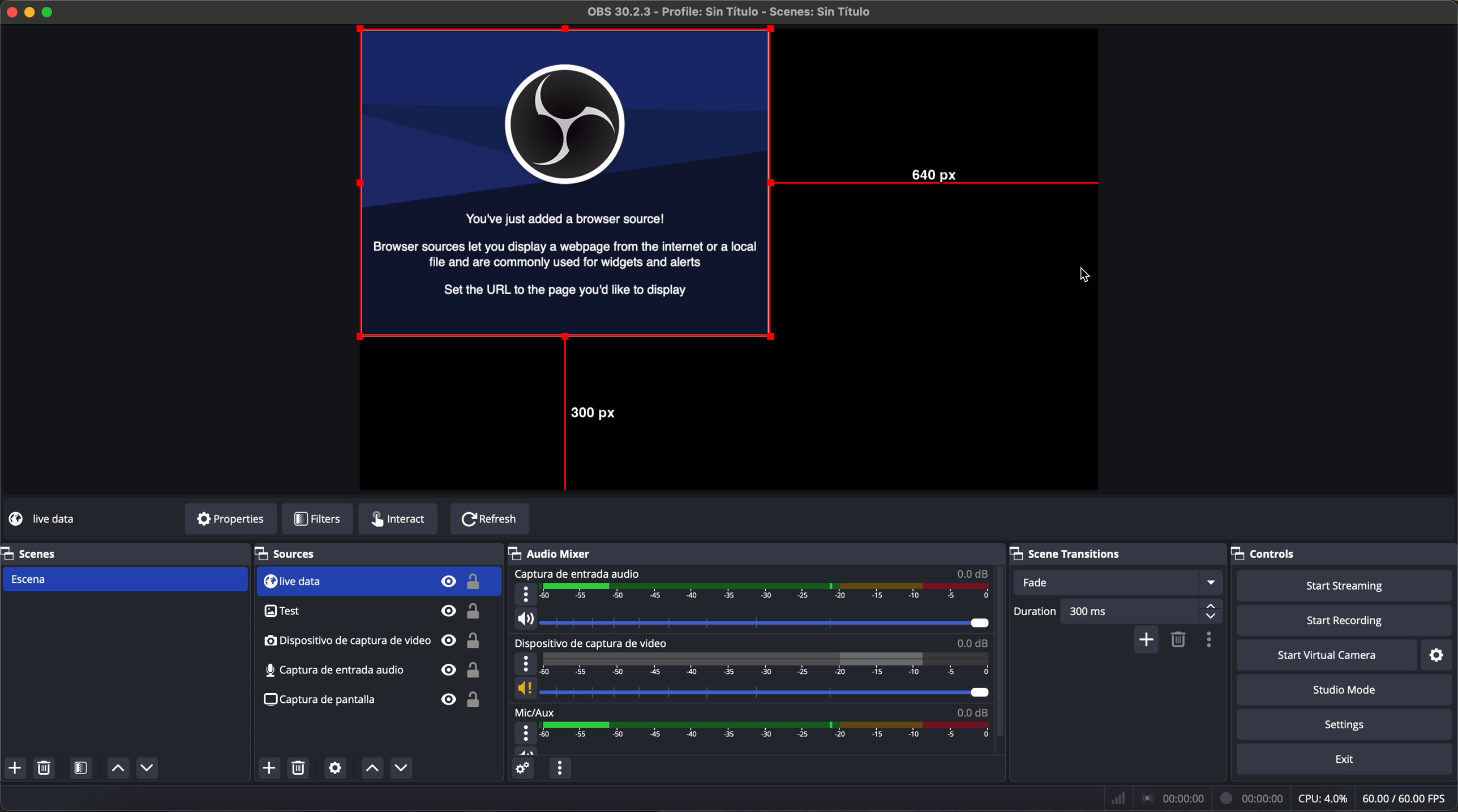  Describe the element at coordinates (369, 768) in the screenshot. I see `move sources up` at that location.